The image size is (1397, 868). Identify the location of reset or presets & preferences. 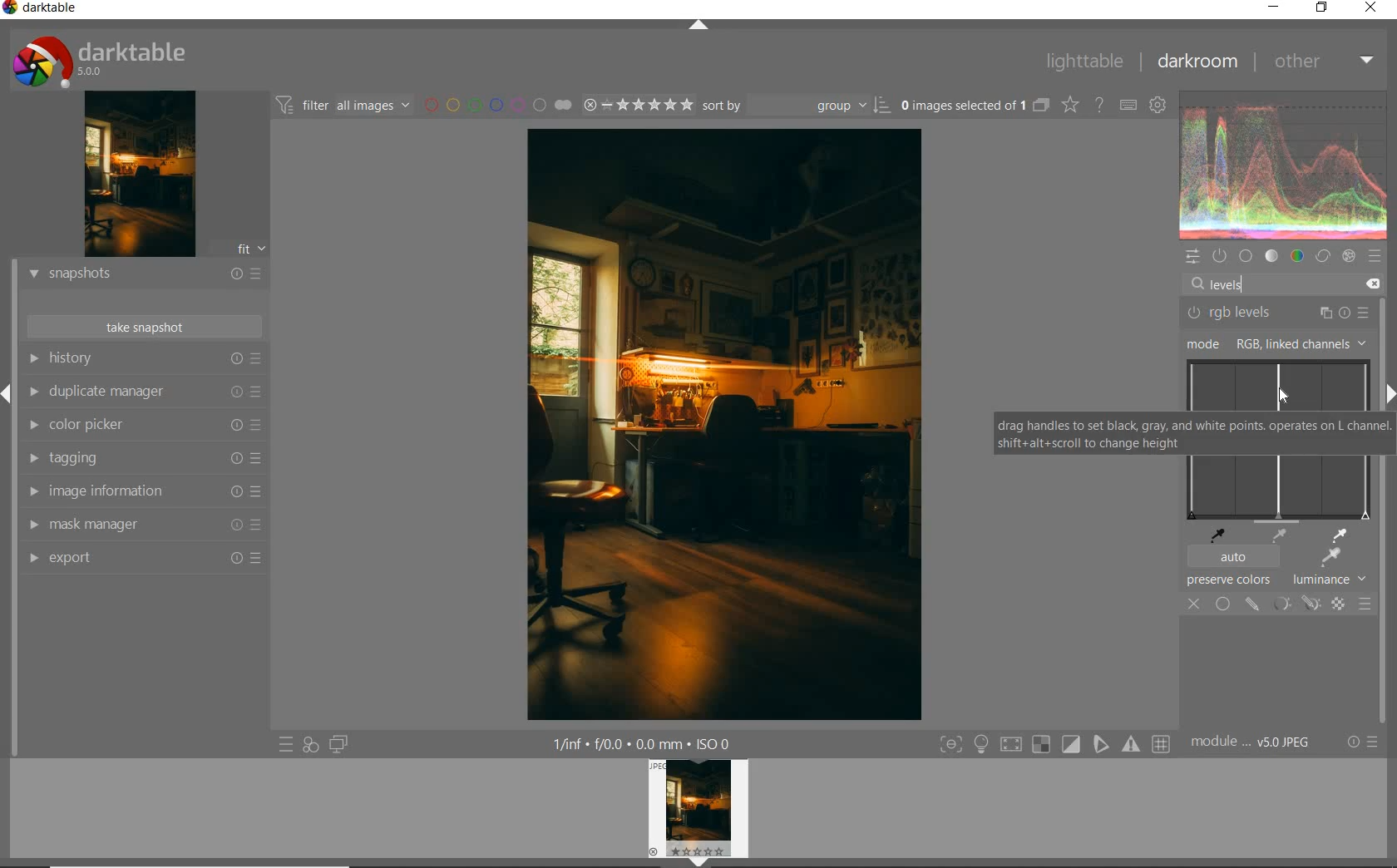
(1362, 742).